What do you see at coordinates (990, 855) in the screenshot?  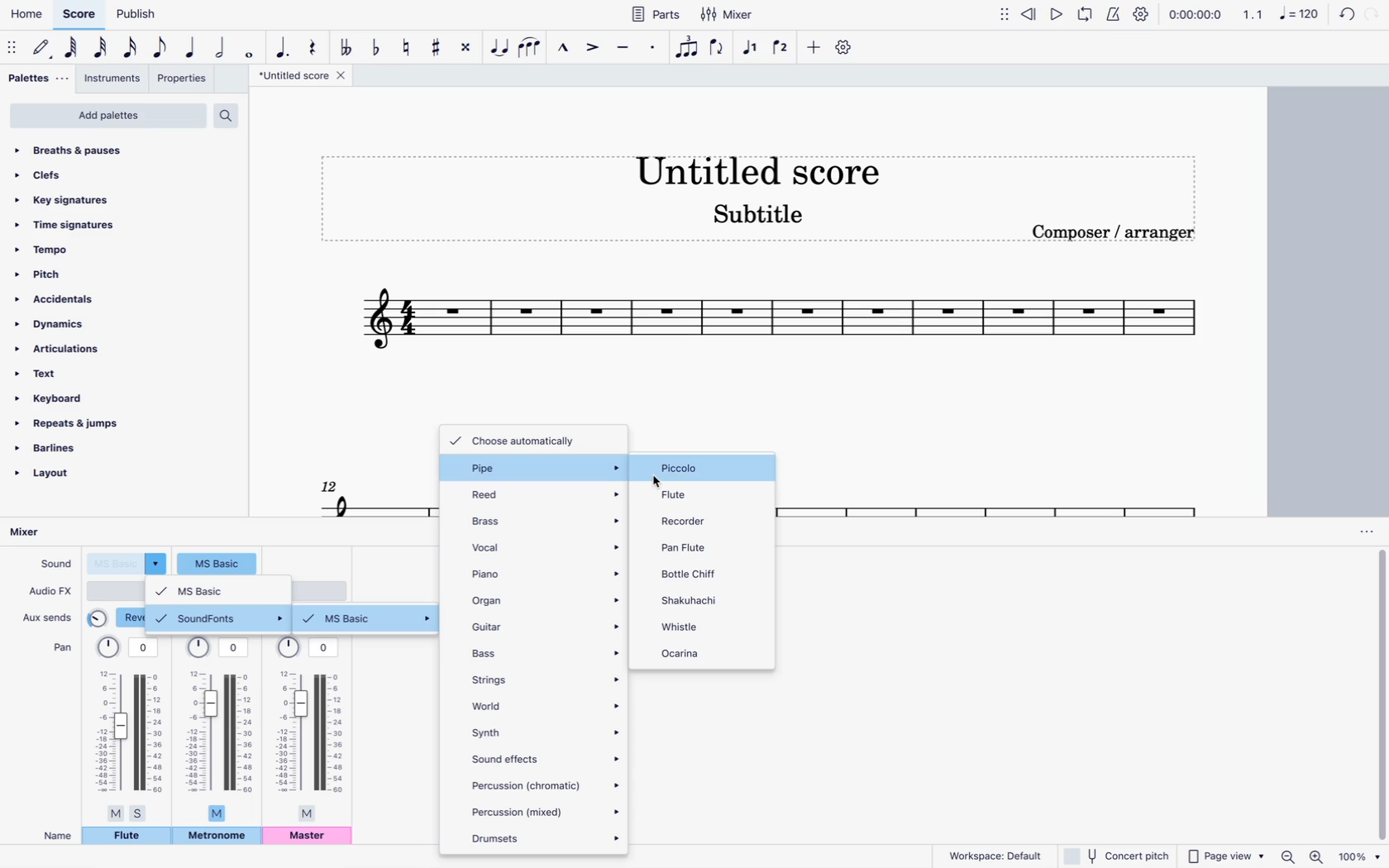 I see `workspace` at bounding box center [990, 855].